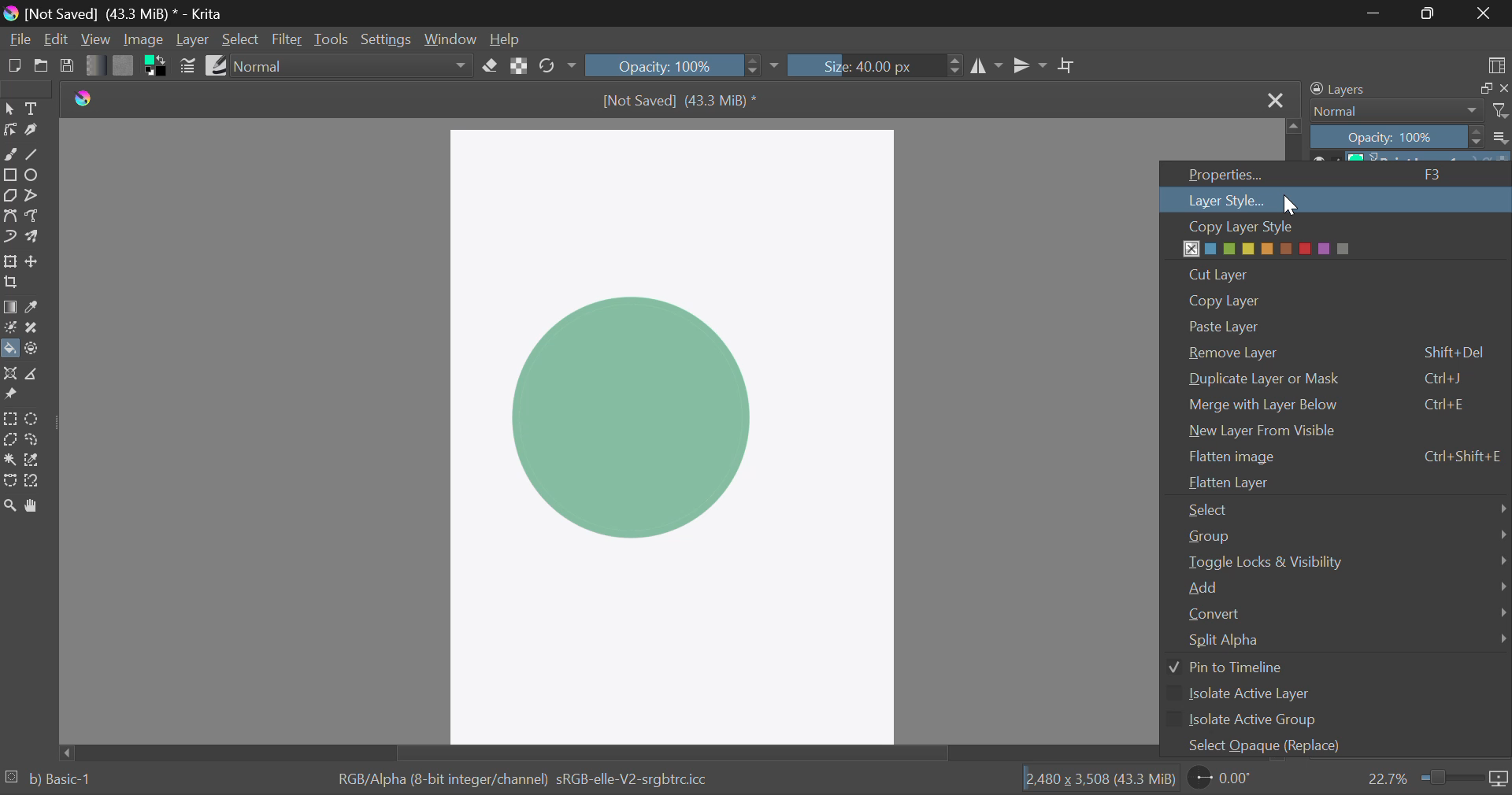 The width and height of the screenshot is (1512, 795). I want to click on Blending Mode, so click(354, 66).